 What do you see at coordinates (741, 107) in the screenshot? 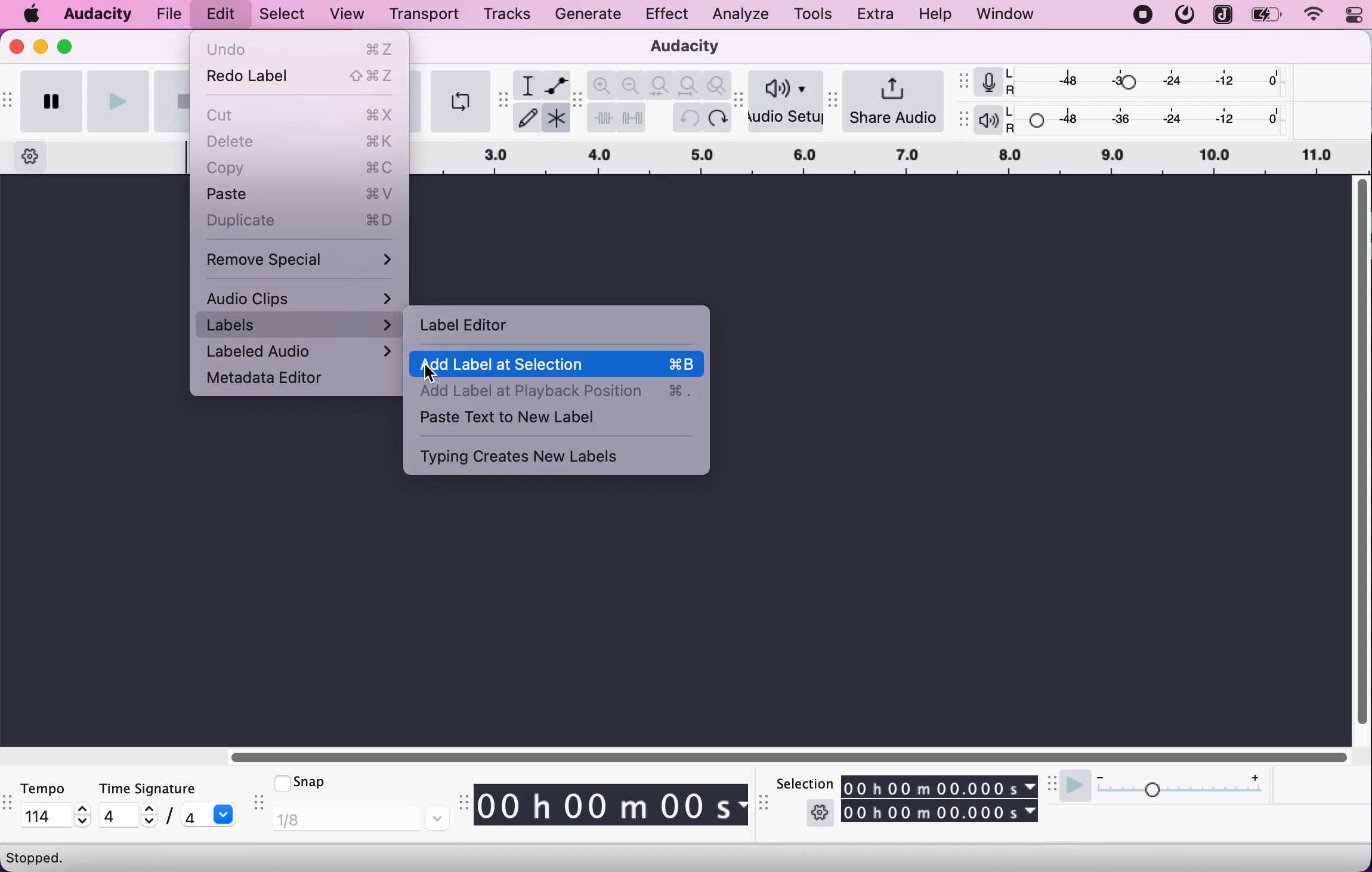
I see `audacity audio setup toolbar` at bounding box center [741, 107].